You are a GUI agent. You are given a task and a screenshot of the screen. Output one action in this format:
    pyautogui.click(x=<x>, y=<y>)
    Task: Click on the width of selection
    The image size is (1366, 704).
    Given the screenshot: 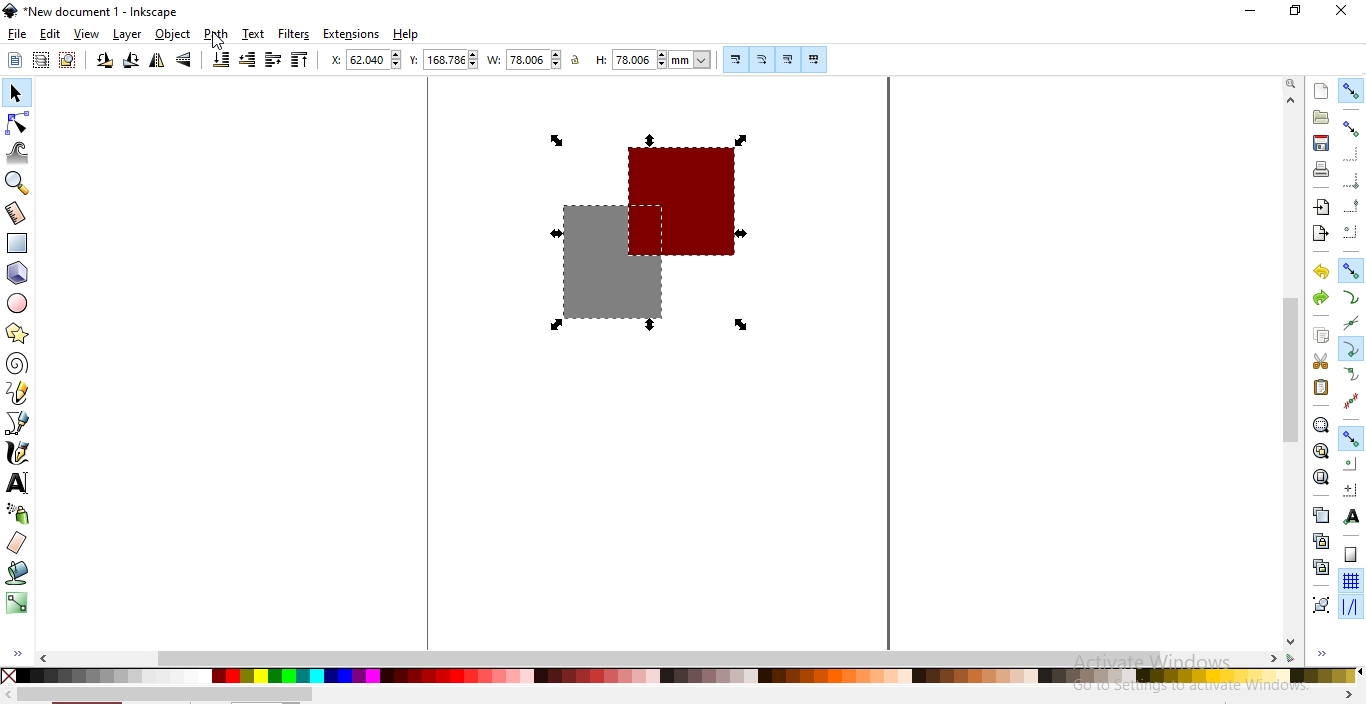 What is the action you would take?
    pyautogui.click(x=526, y=60)
    